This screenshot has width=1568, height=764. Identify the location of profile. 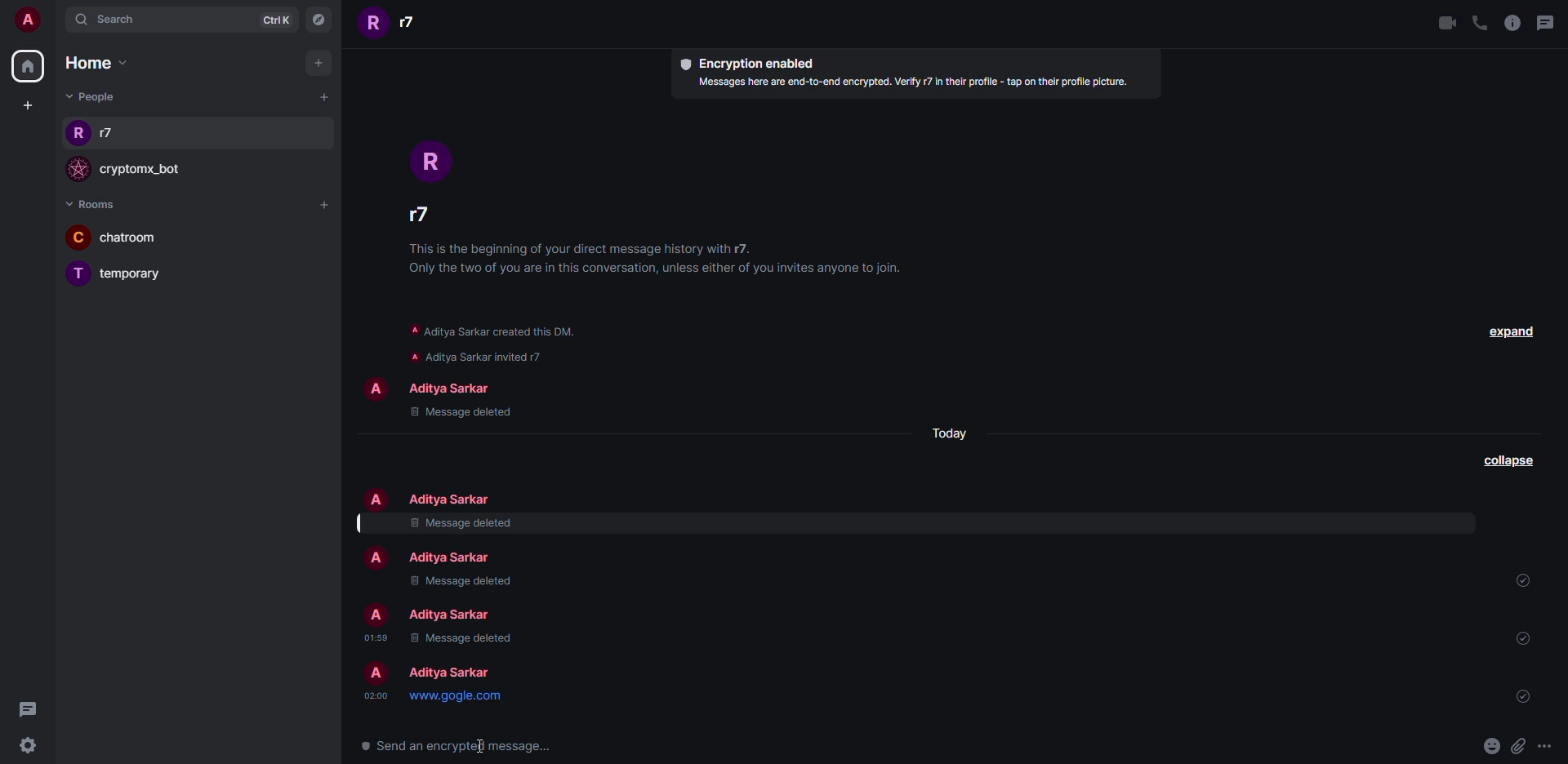
(77, 132).